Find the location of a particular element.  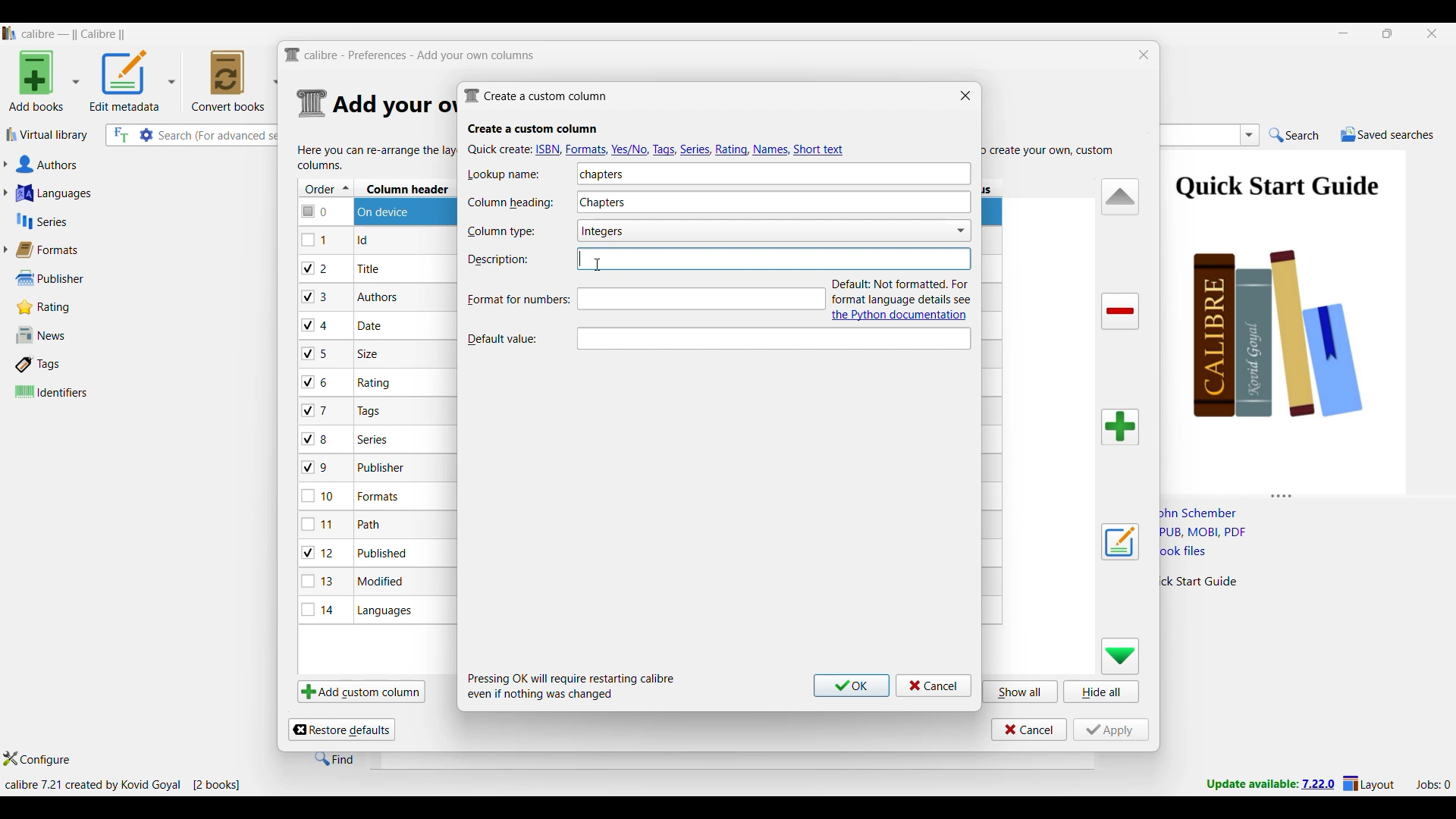

Title and logo of current window is located at coordinates (410, 55).